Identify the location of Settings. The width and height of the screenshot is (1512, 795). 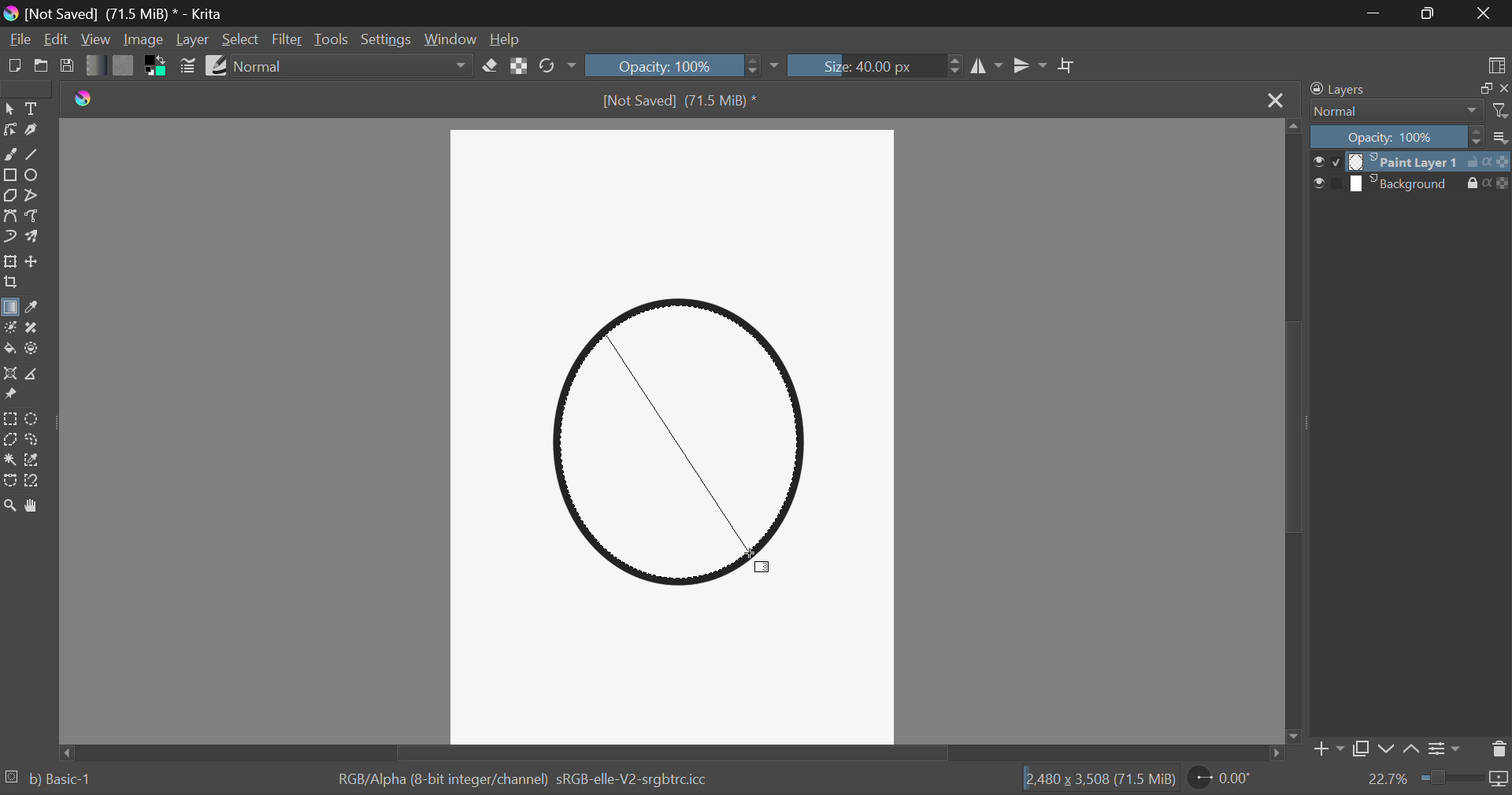
(1447, 749).